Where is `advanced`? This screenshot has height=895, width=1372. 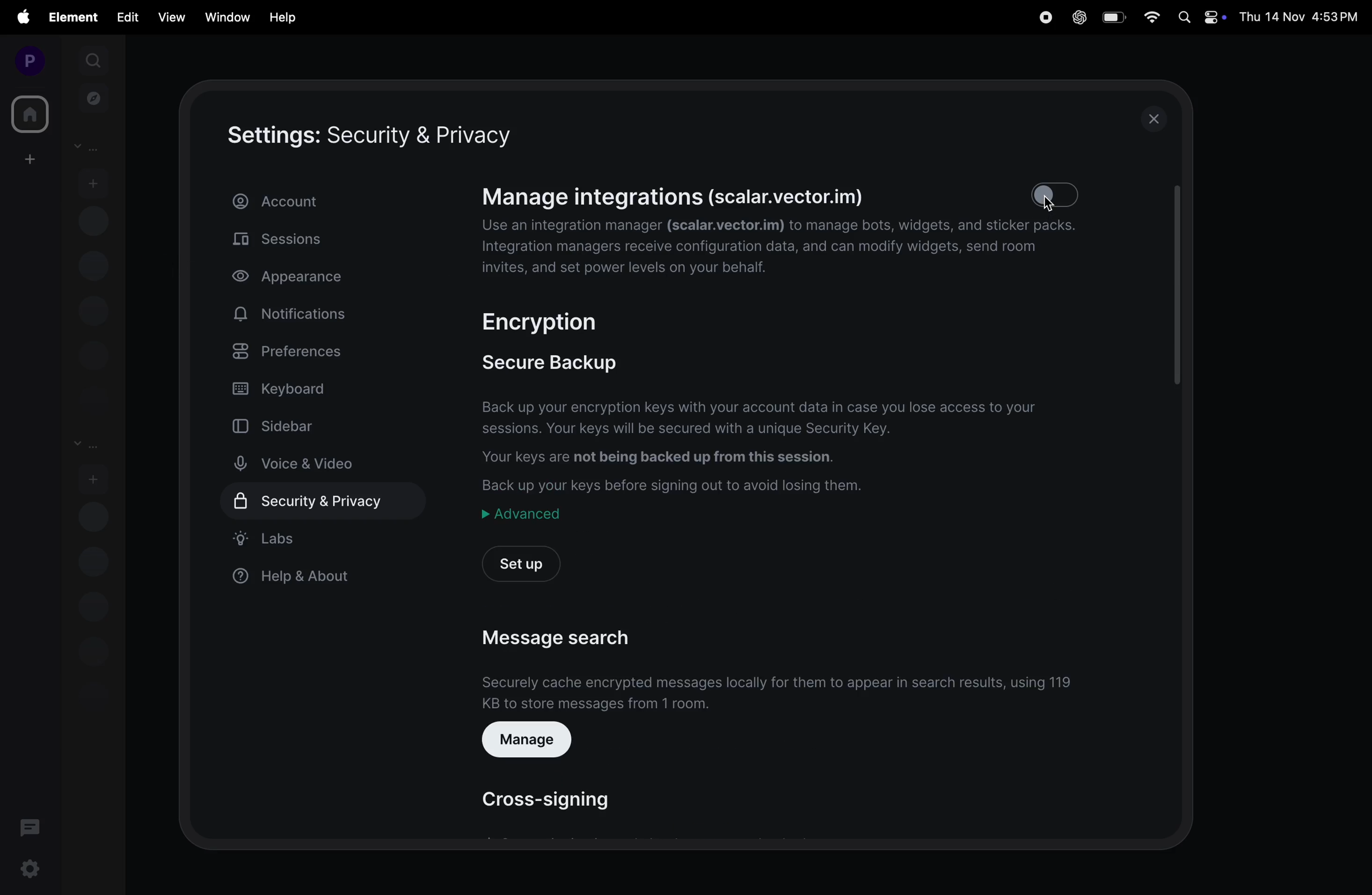
advanced is located at coordinates (527, 514).